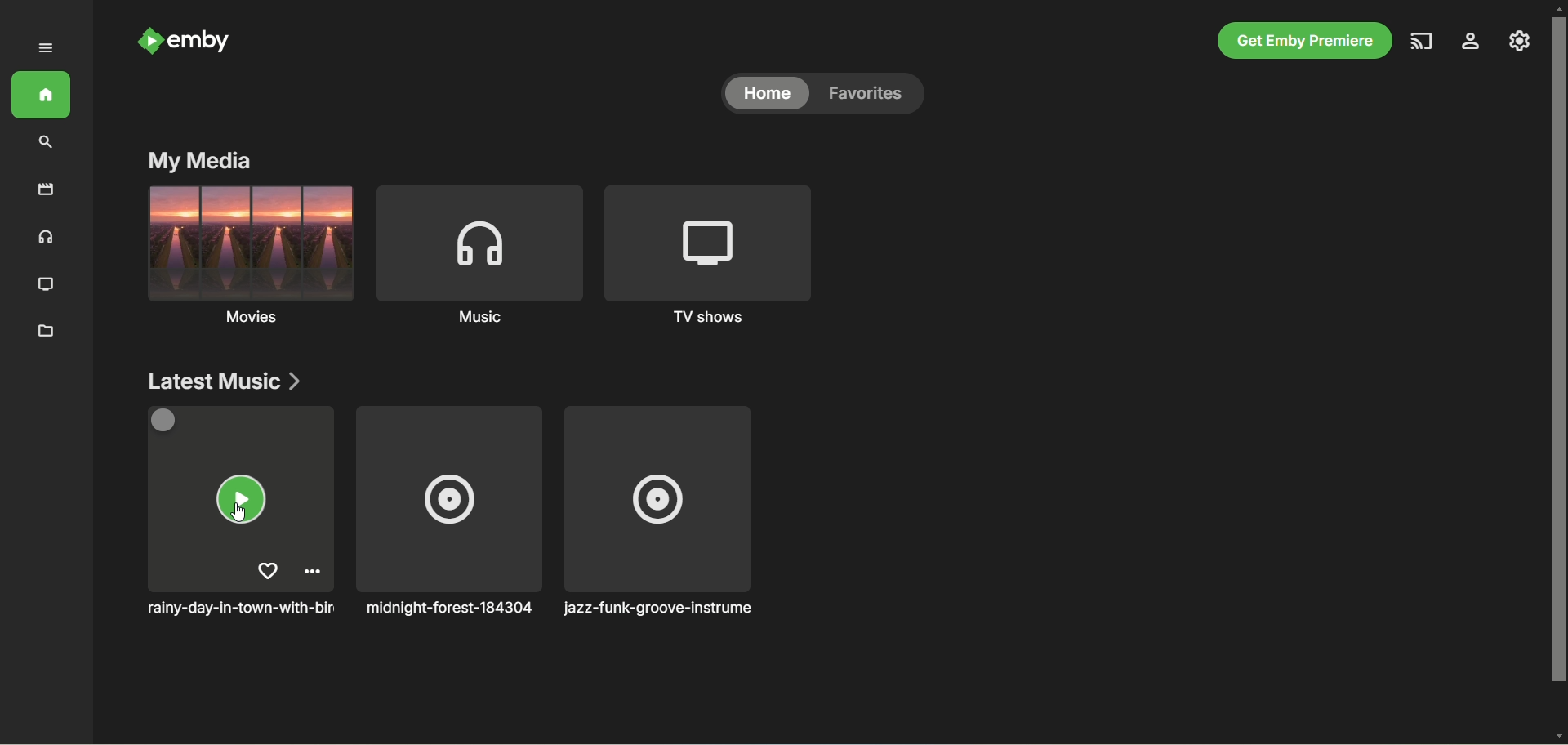  Describe the element at coordinates (479, 254) in the screenshot. I see `Music` at that location.